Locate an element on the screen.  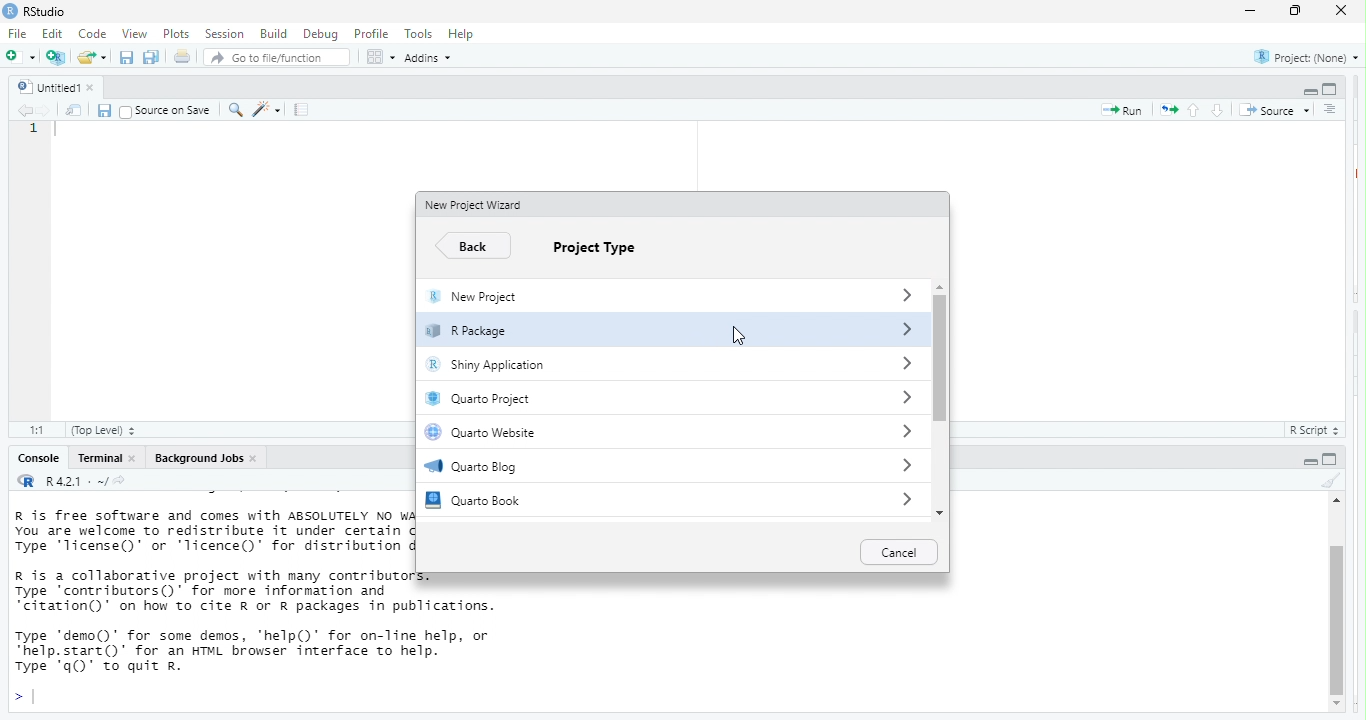
Back is located at coordinates (474, 244).